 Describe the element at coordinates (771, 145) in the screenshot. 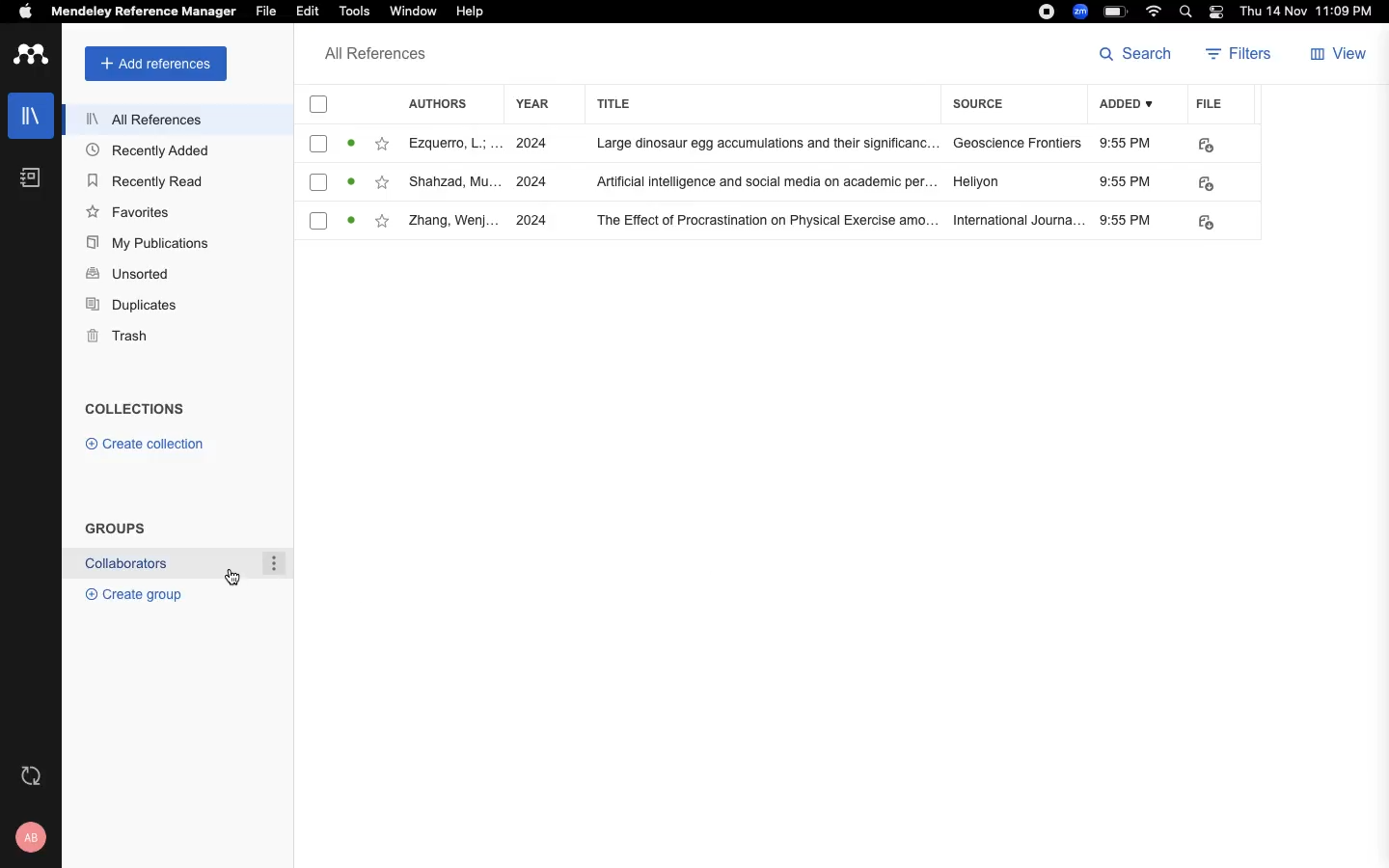

I see `Large dinosaur egg accumulations and their significanc...` at that location.